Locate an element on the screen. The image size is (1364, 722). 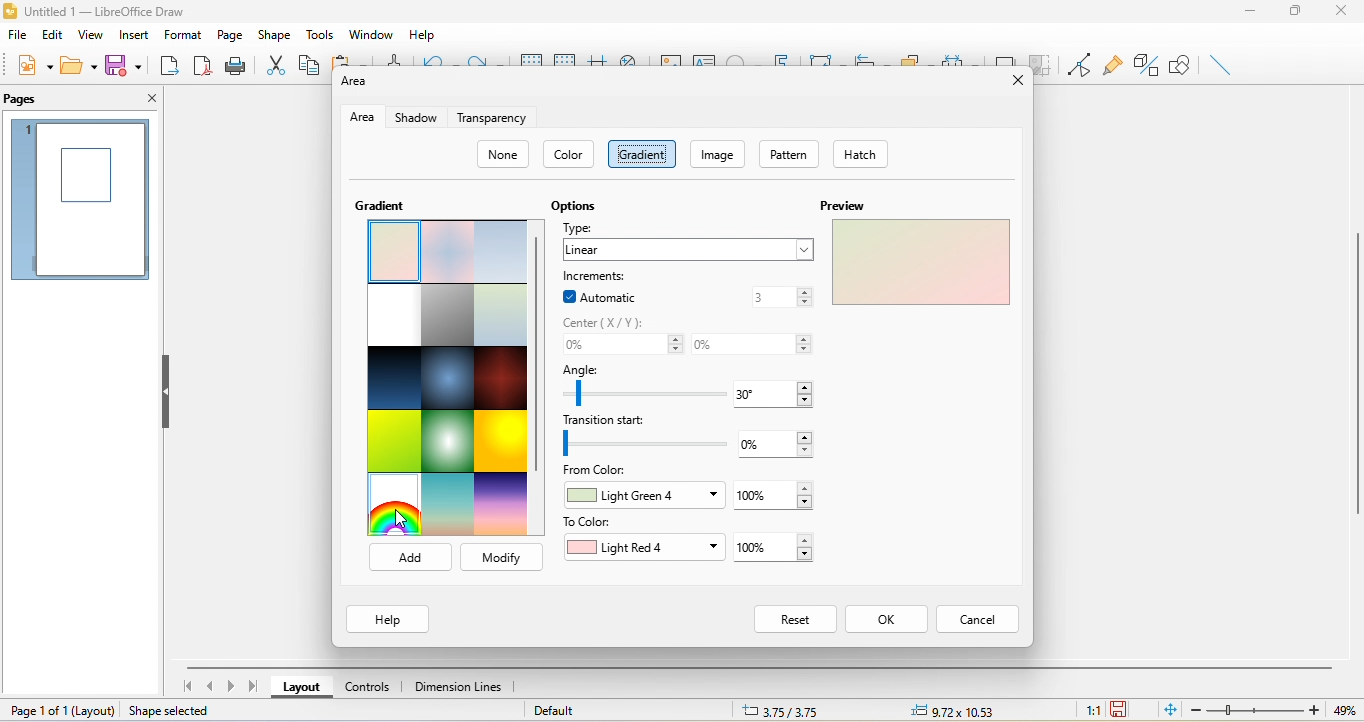
mahogany is located at coordinates (501, 382).